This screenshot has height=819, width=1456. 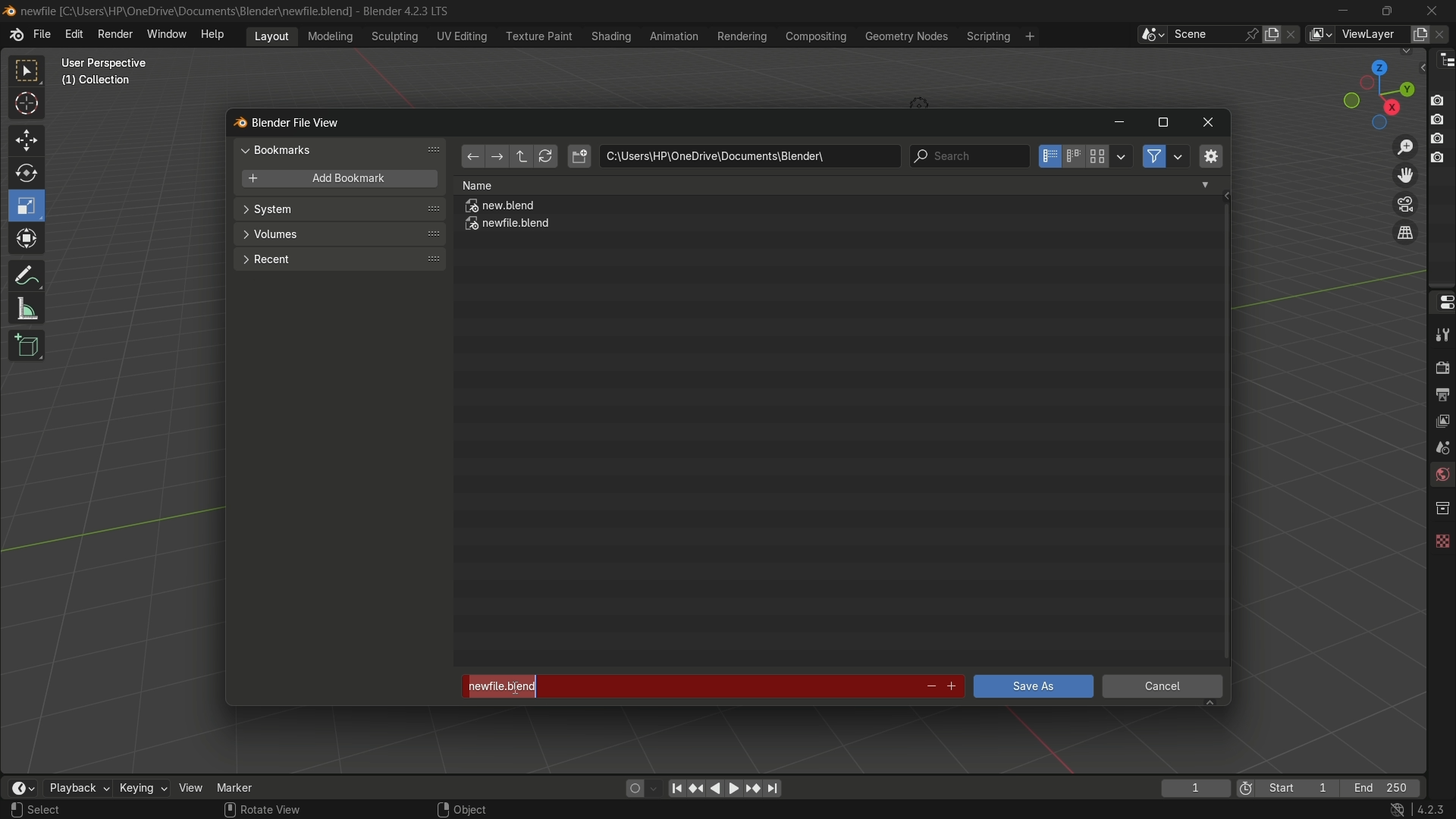 What do you see at coordinates (1432, 10) in the screenshot?
I see `close app` at bounding box center [1432, 10].